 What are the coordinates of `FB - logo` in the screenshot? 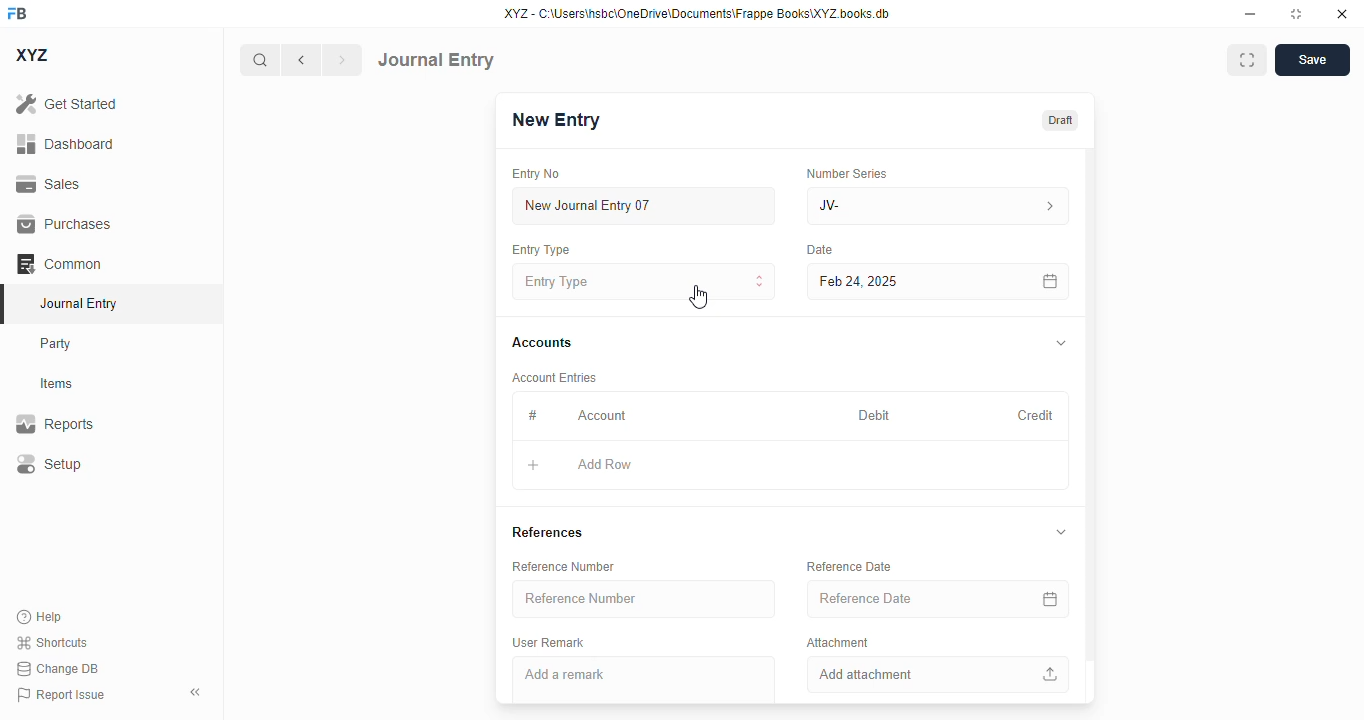 It's located at (17, 13).